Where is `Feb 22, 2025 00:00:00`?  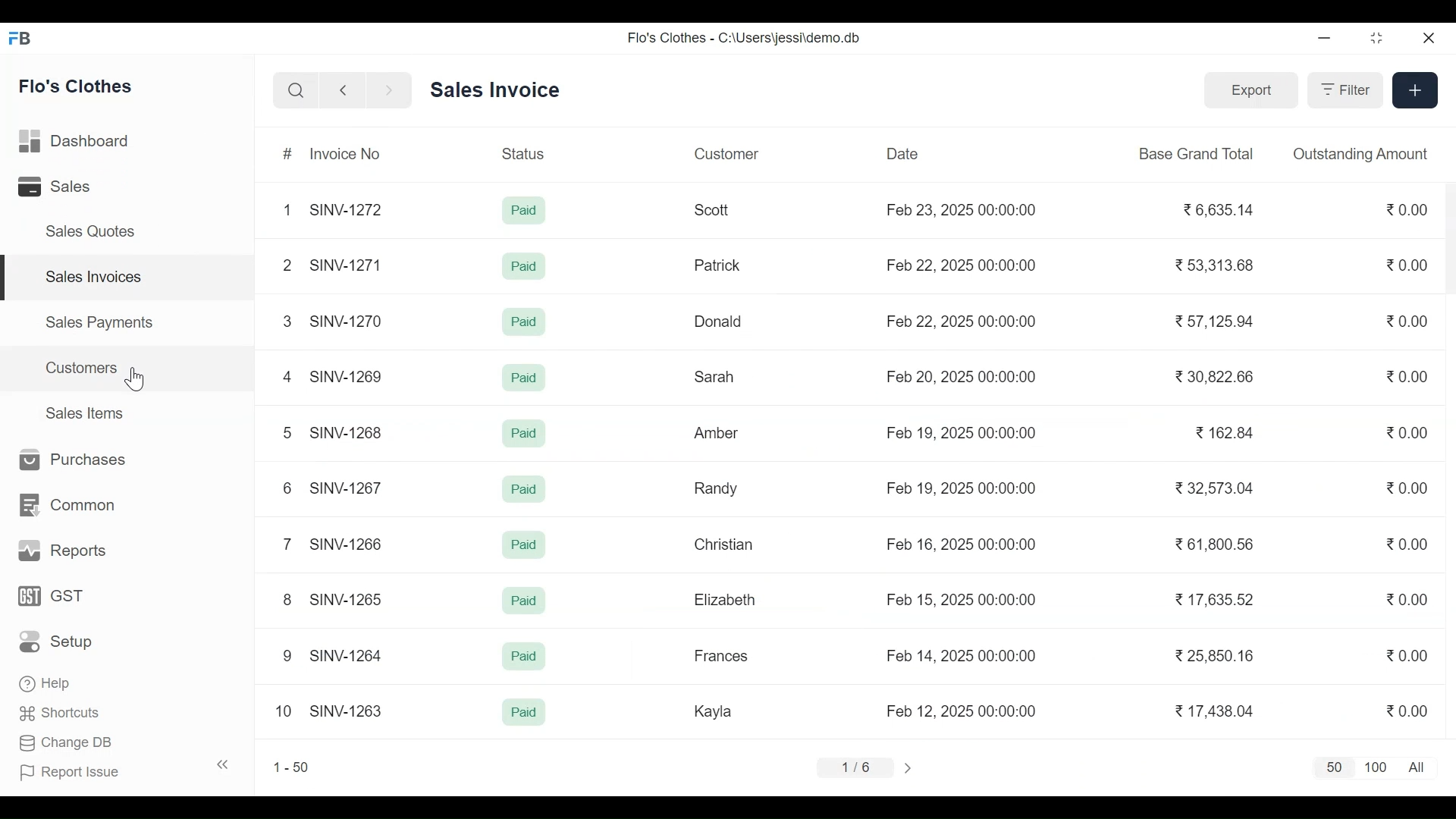
Feb 22, 2025 00:00:00 is located at coordinates (962, 322).